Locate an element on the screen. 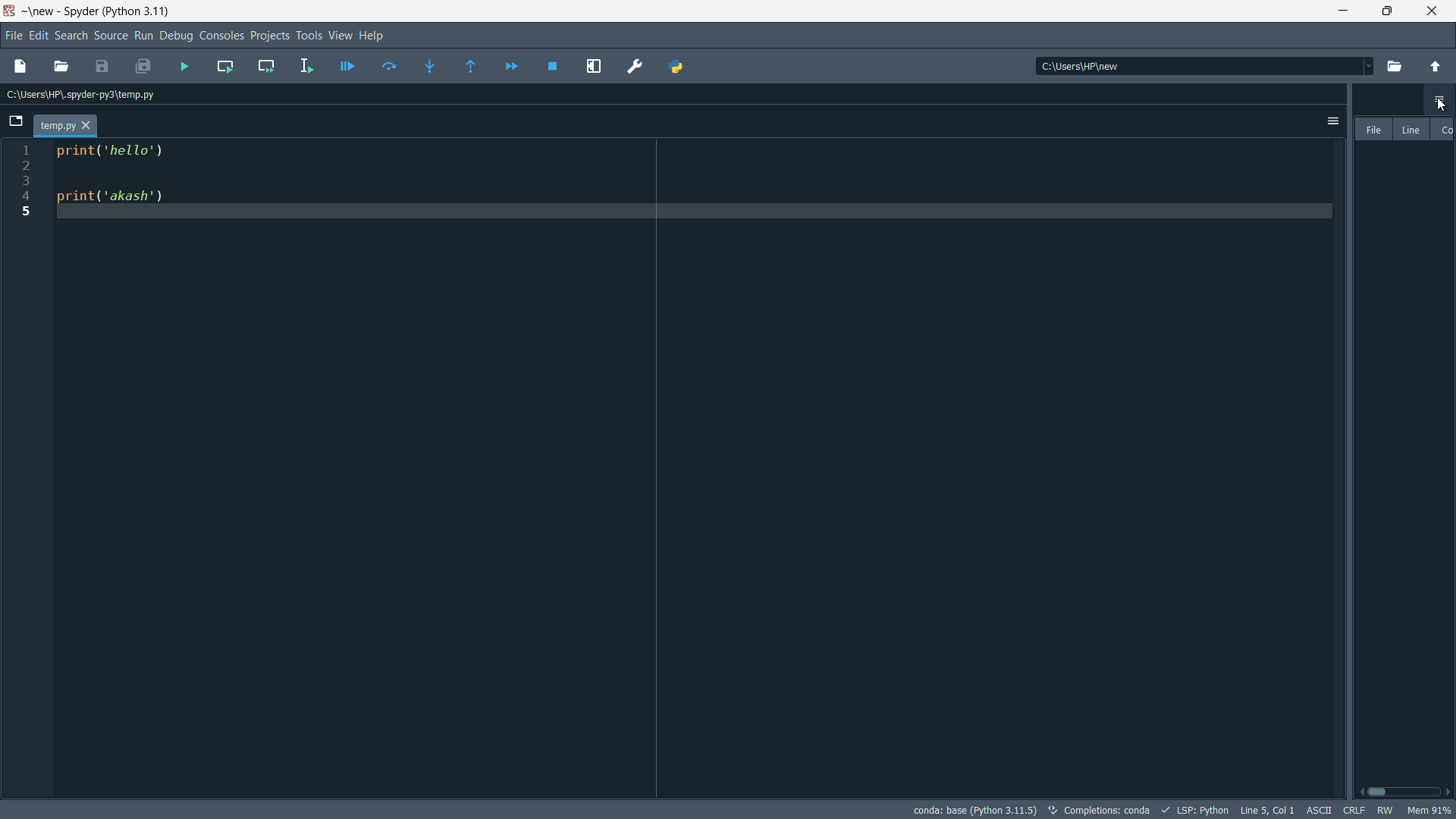 The image size is (1456, 819). CRLF is located at coordinates (1351, 811).